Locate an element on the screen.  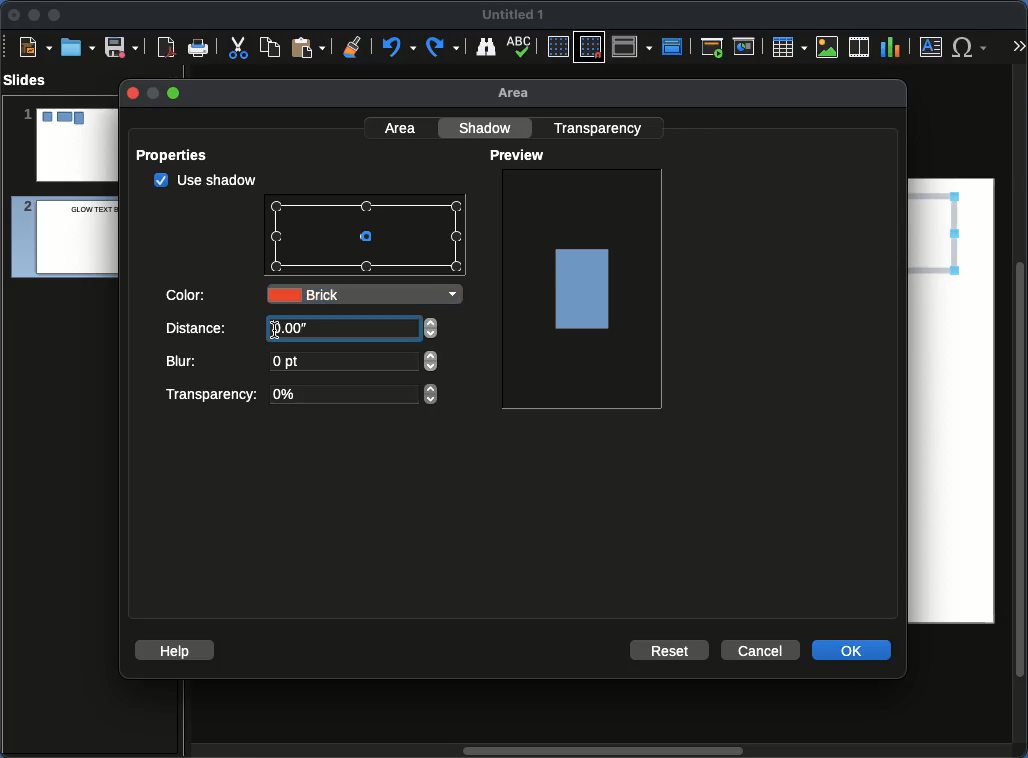
Brick is located at coordinates (364, 294).